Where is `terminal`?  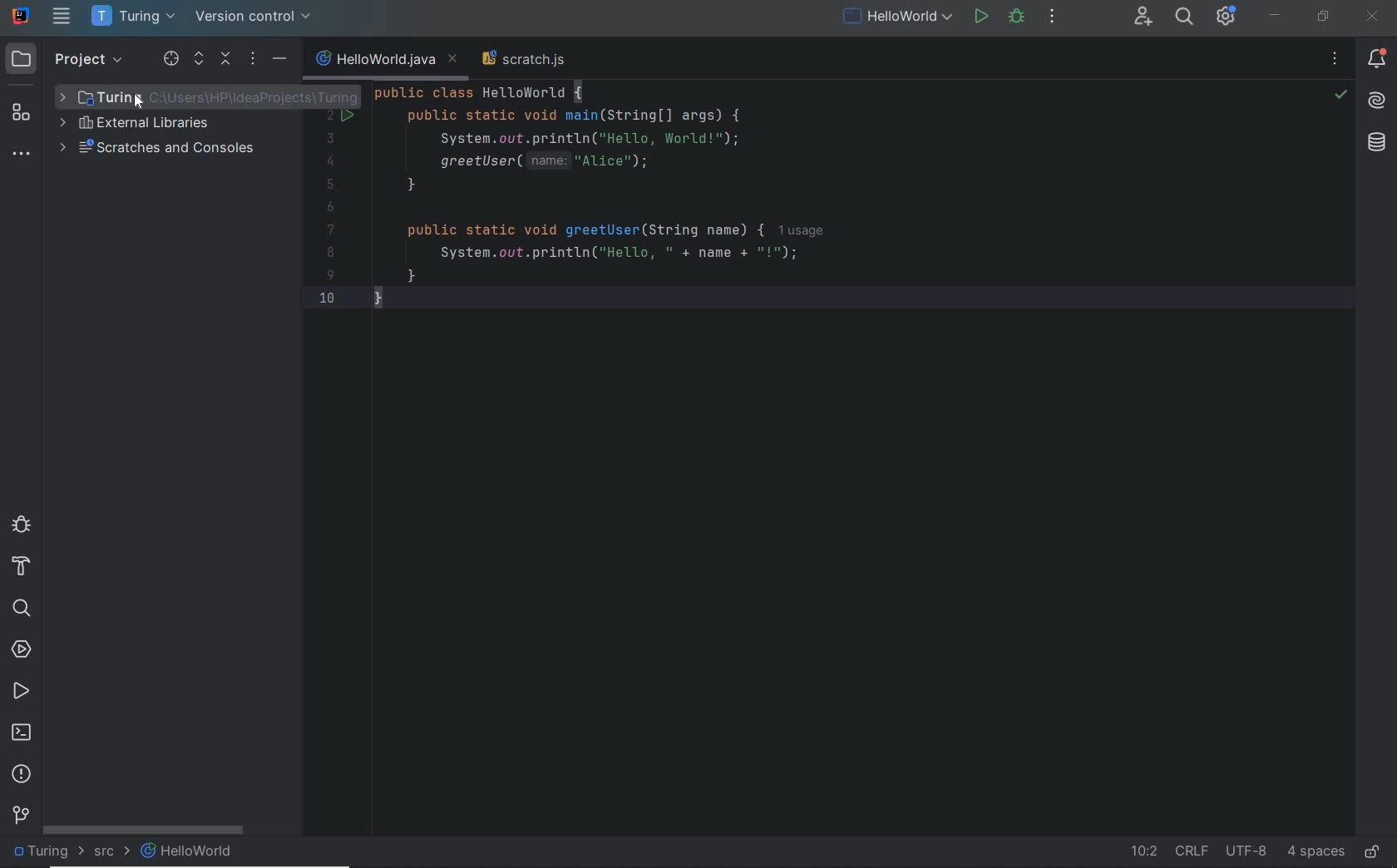
terminal is located at coordinates (22, 732).